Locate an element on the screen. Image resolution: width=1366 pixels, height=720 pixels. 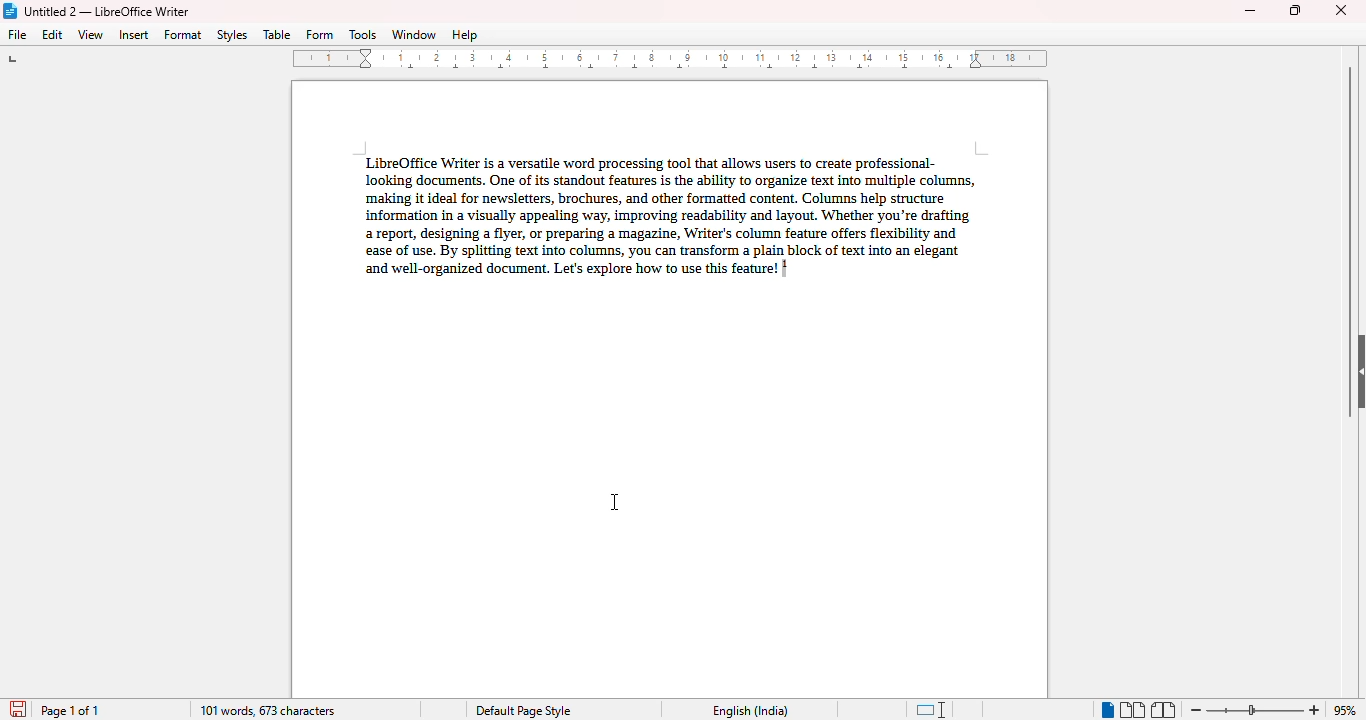
book view is located at coordinates (1162, 709).